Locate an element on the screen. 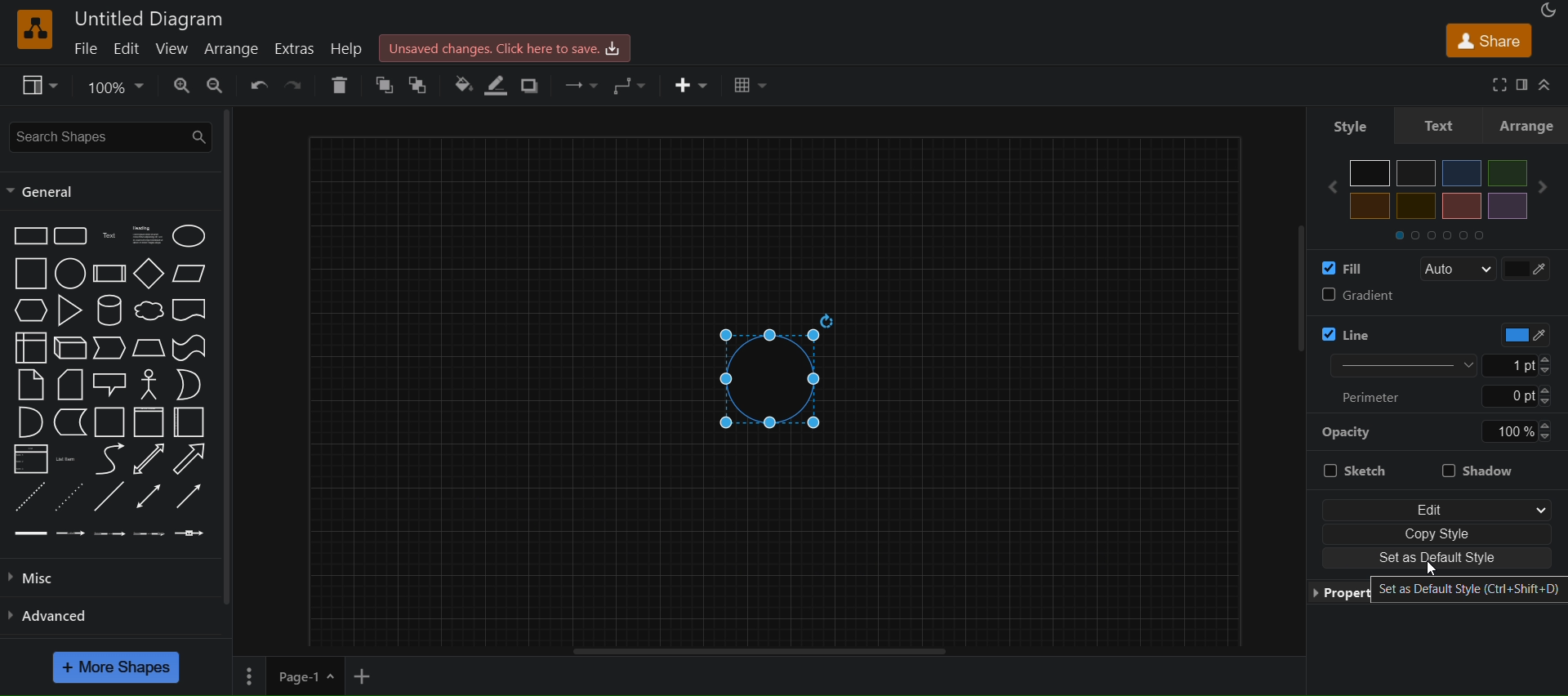 The image size is (1568, 696). auto is located at coordinates (1457, 270).